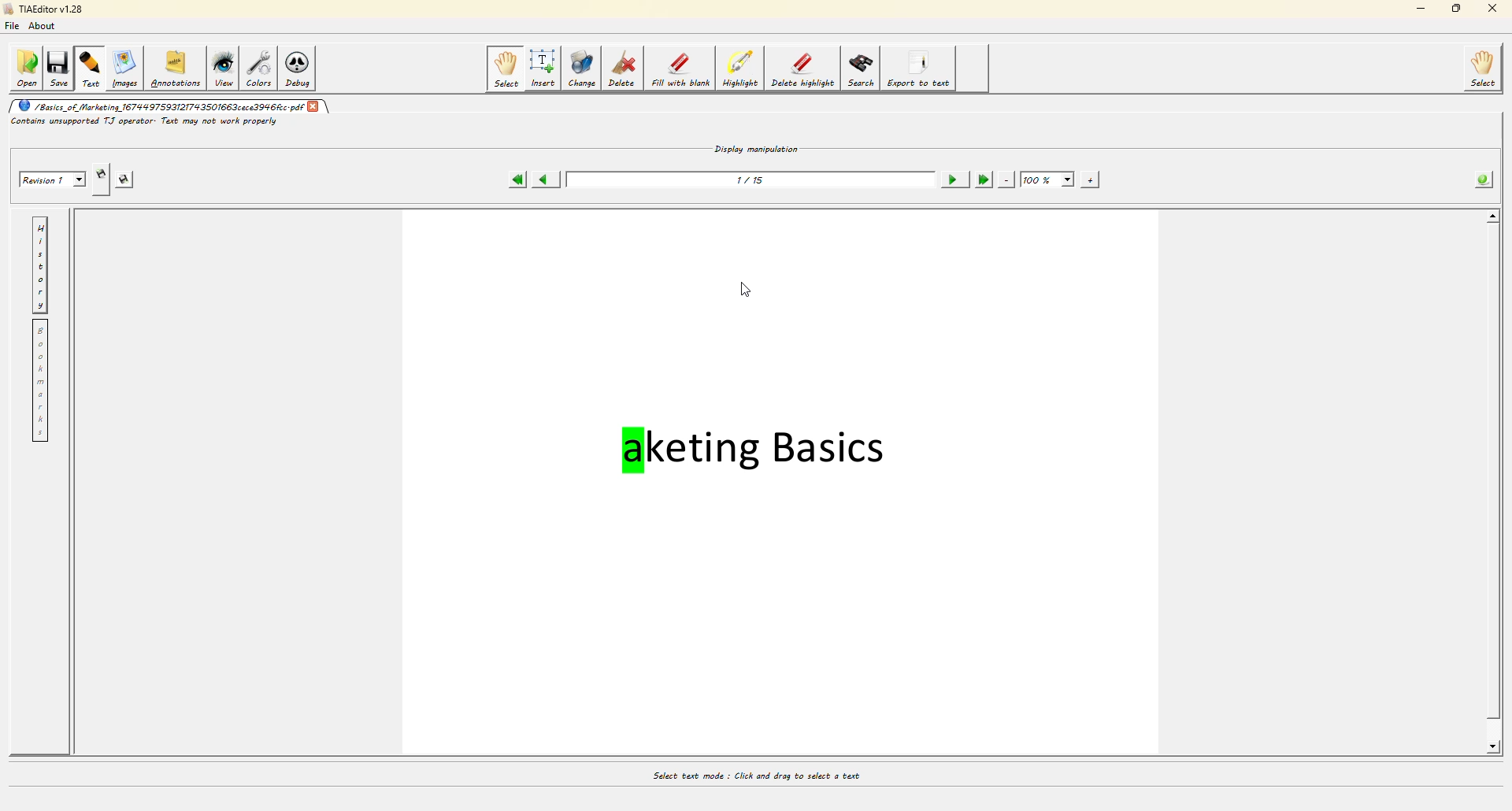 The height and width of the screenshot is (811, 1512). I want to click on zoom out, so click(1003, 180).